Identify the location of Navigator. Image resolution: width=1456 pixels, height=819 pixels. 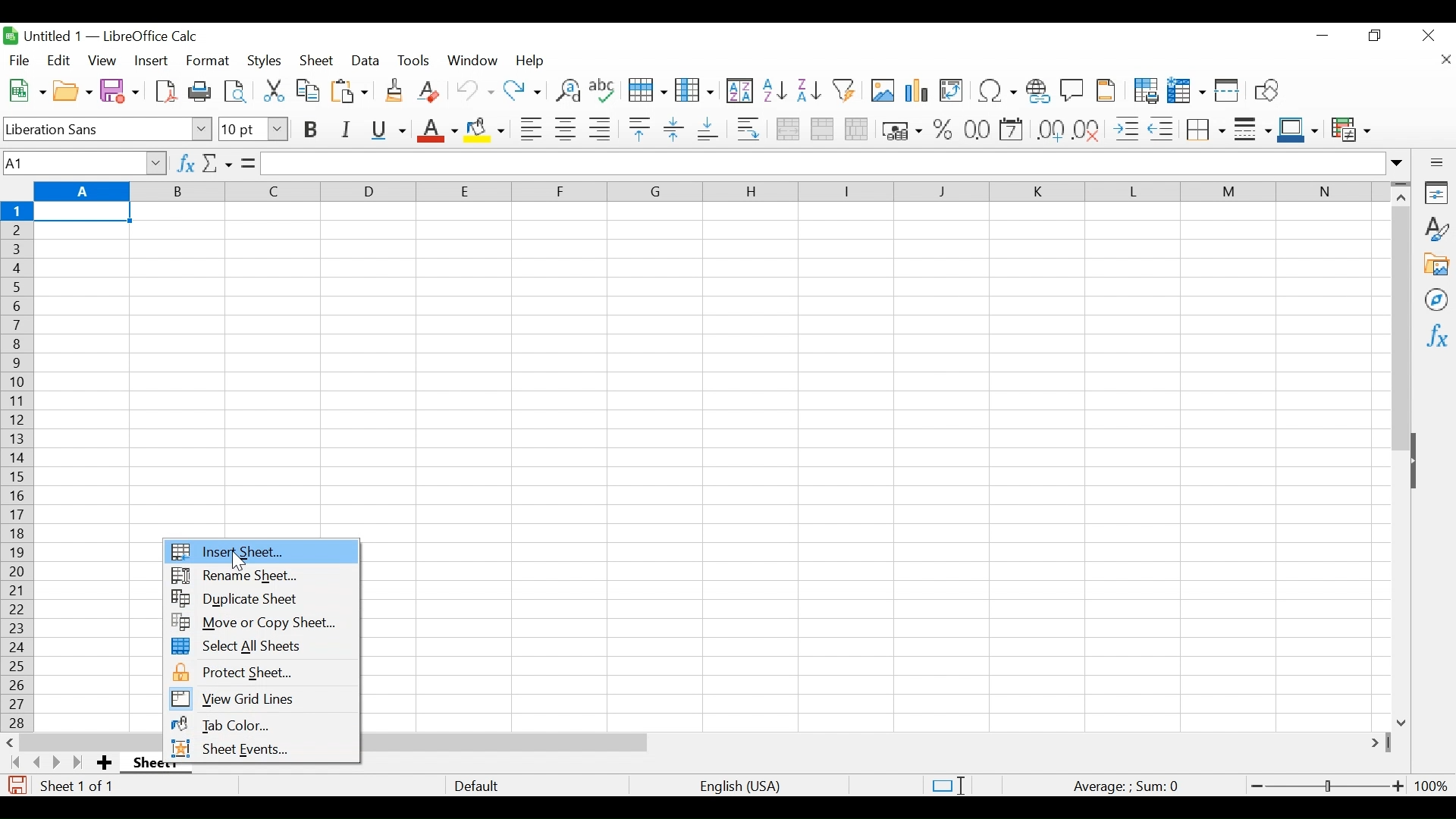
(1437, 299).